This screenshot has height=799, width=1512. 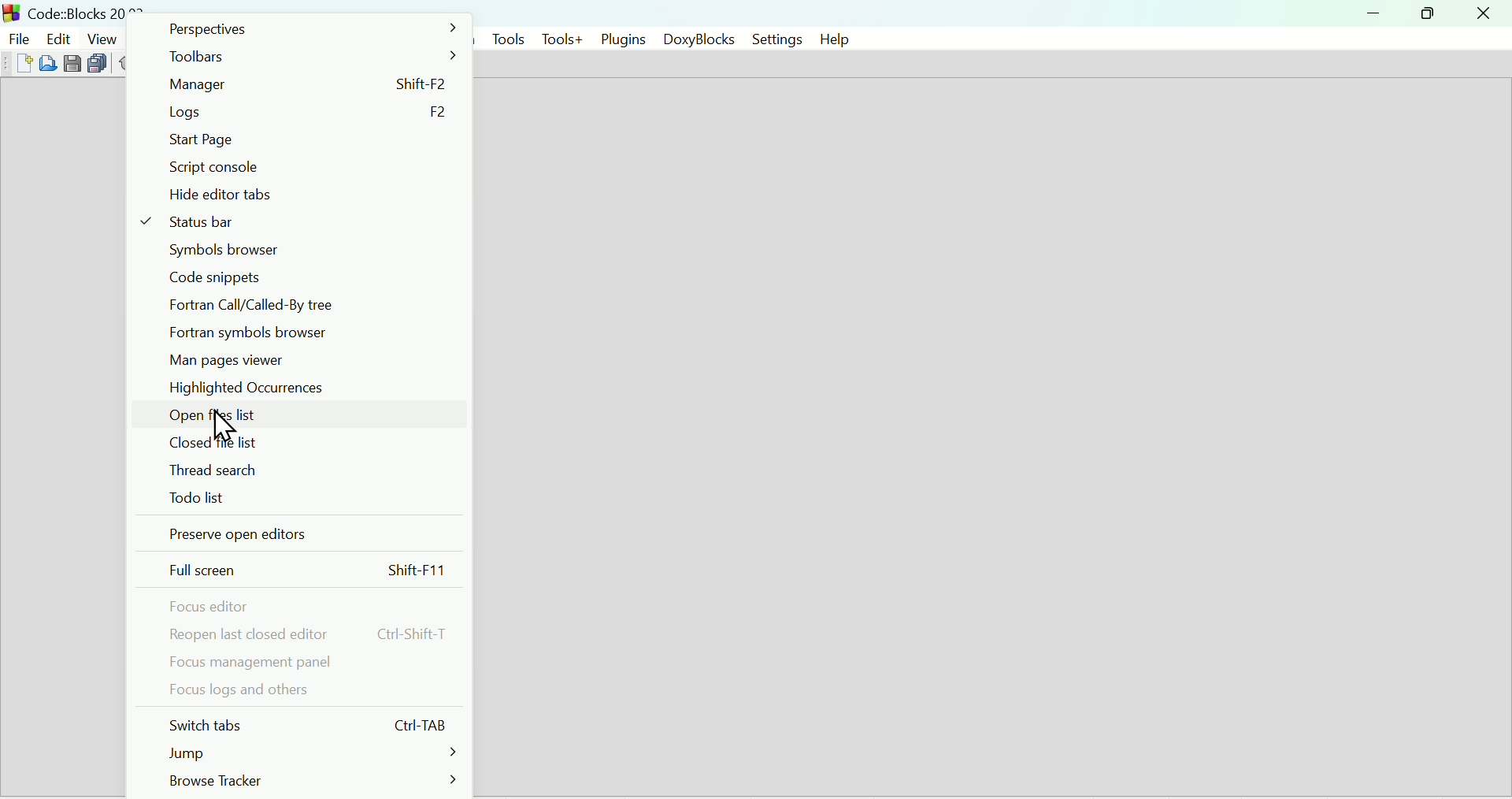 What do you see at coordinates (308, 84) in the screenshot?
I see `Manager` at bounding box center [308, 84].